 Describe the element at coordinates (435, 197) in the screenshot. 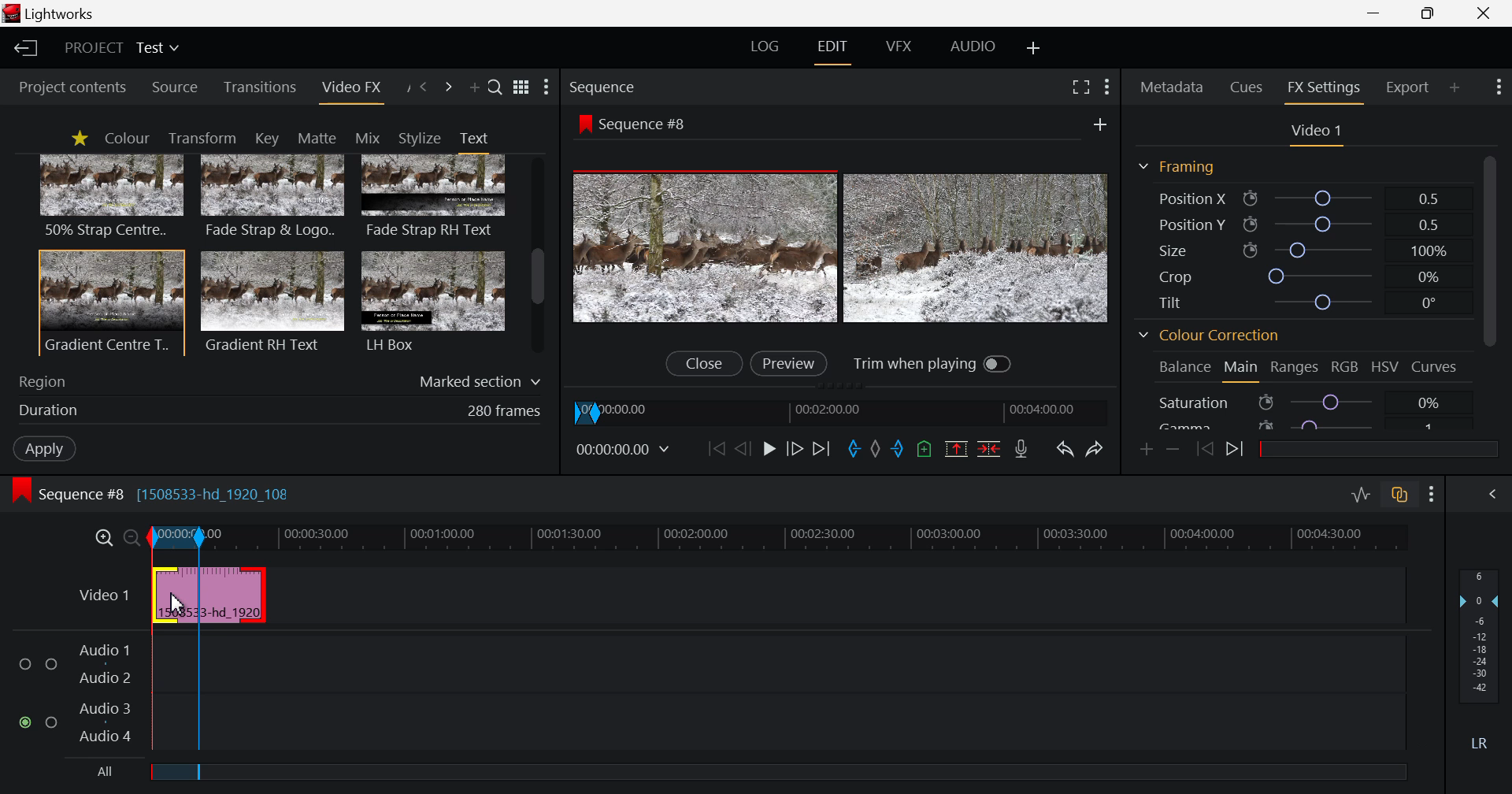

I see `Fade Strap RH Text` at that location.